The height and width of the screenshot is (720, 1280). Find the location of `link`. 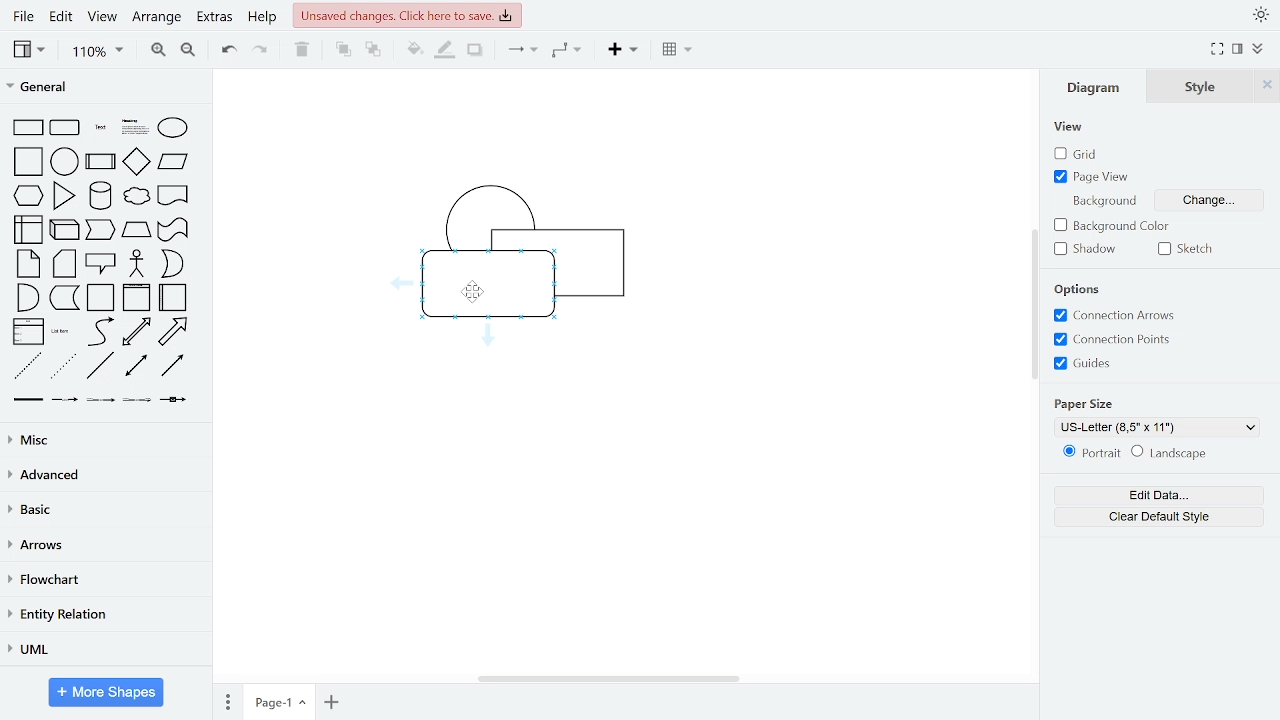

link is located at coordinates (26, 399).